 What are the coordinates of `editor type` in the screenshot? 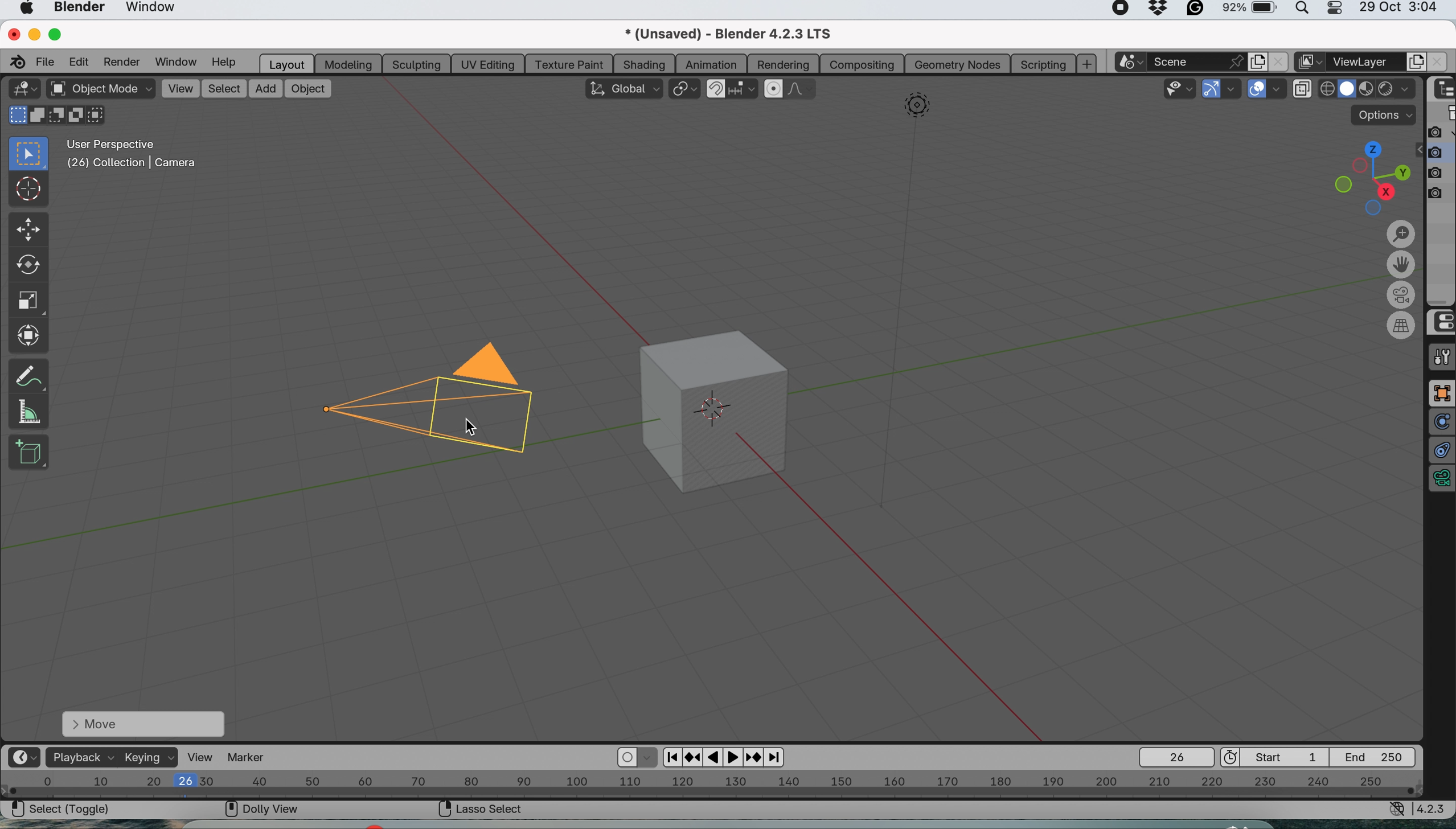 It's located at (23, 89).